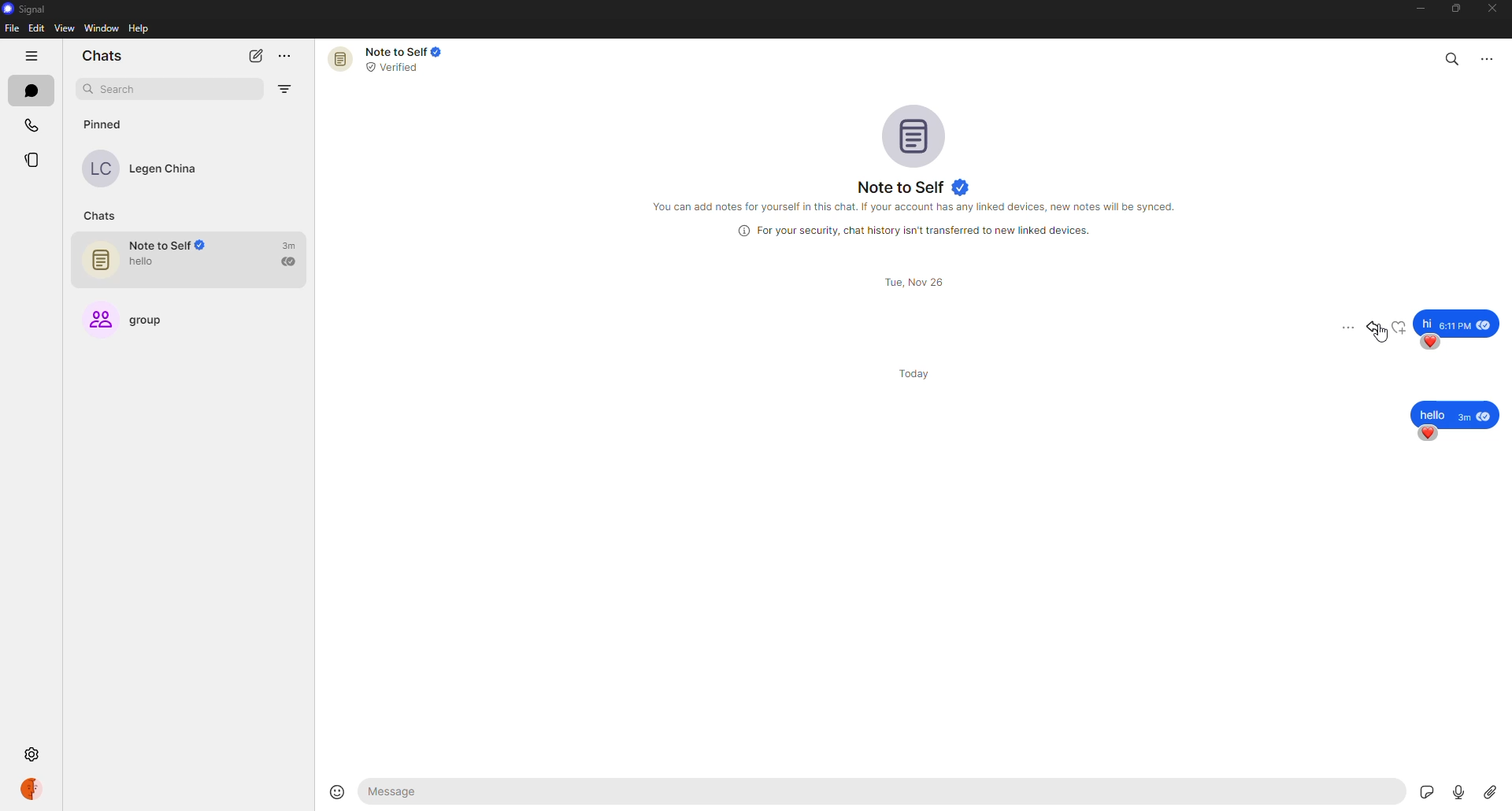 This screenshot has width=1512, height=811. I want to click on day, so click(913, 283).